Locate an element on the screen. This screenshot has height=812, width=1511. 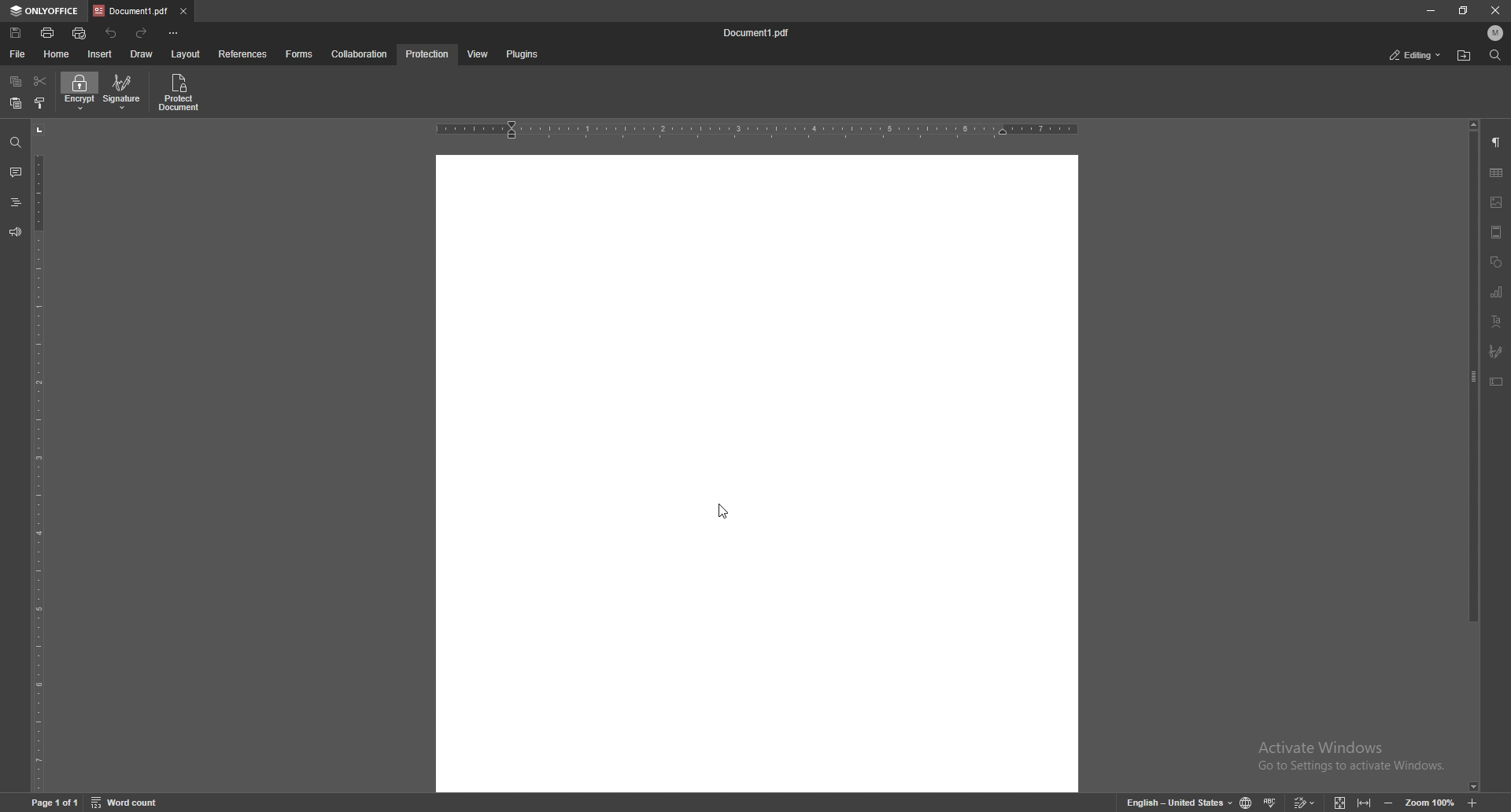
feedback is located at coordinates (14, 233).